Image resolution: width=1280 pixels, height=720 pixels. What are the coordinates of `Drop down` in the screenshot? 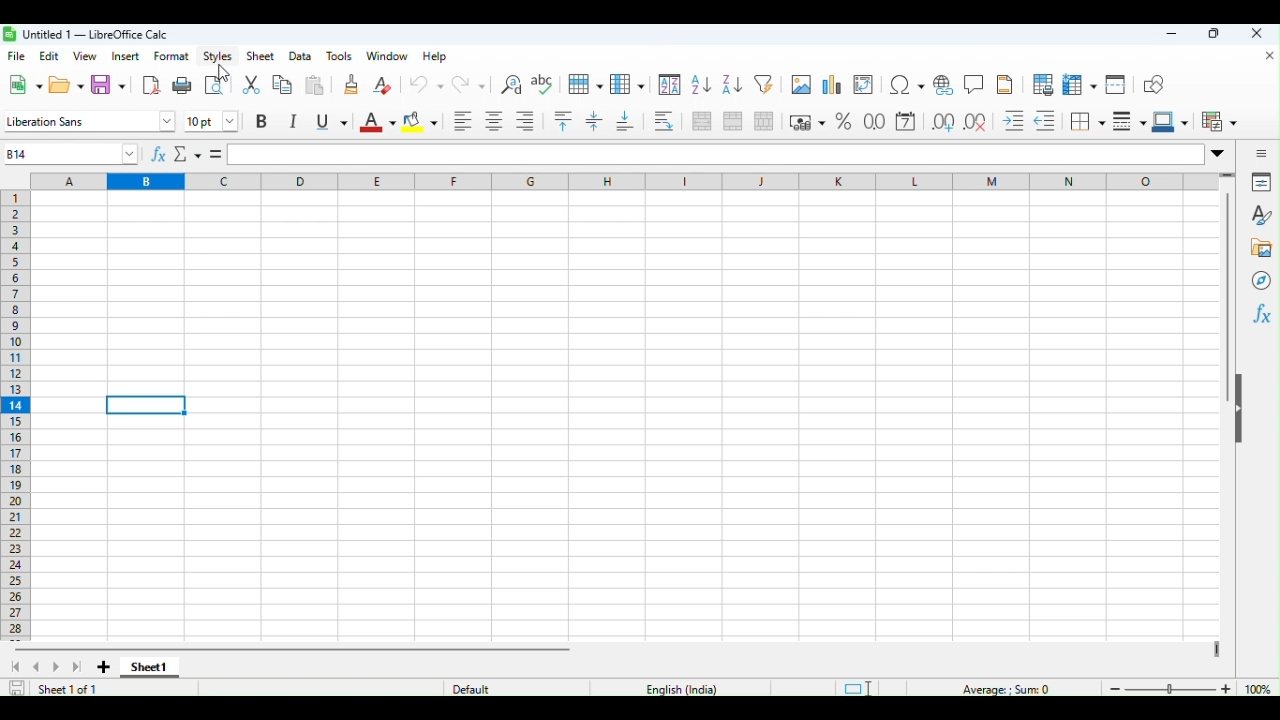 It's located at (1218, 152).